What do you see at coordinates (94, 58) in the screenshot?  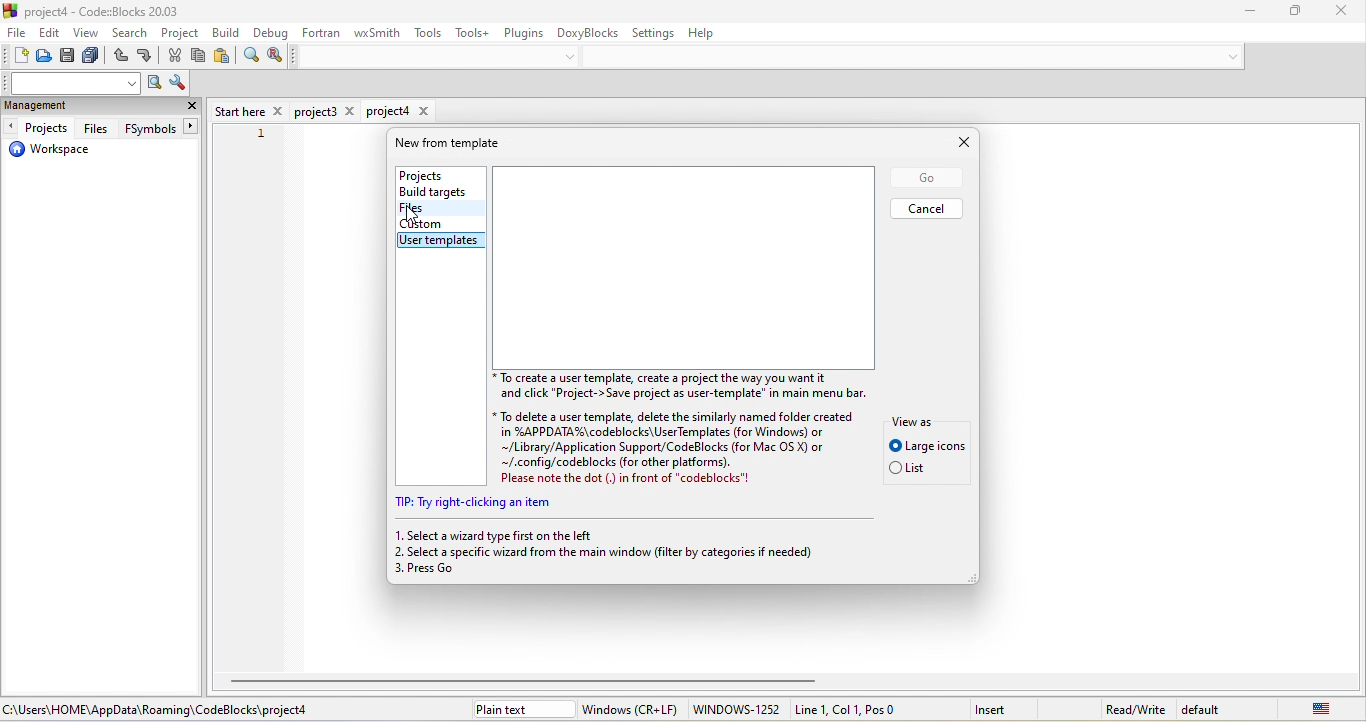 I see `save everything` at bounding box center [94, 58].